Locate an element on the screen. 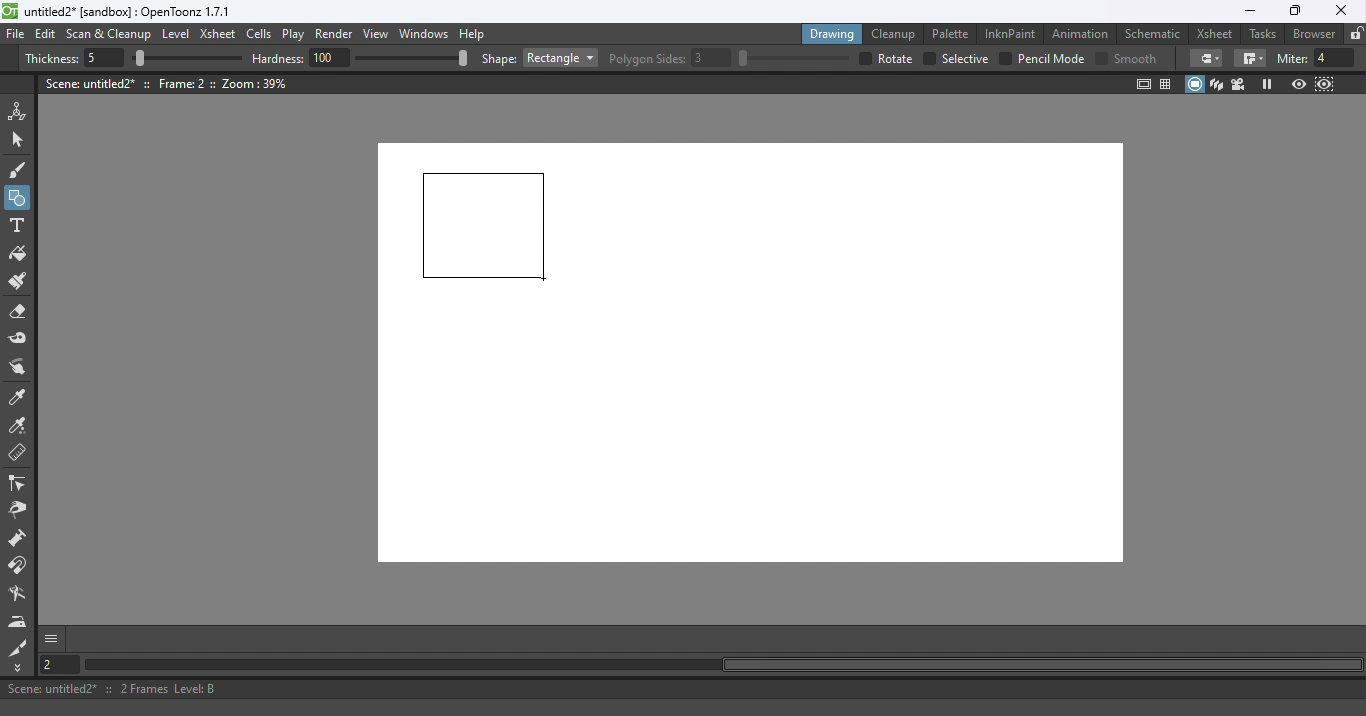  miter is located at coordinates (1291, 58).